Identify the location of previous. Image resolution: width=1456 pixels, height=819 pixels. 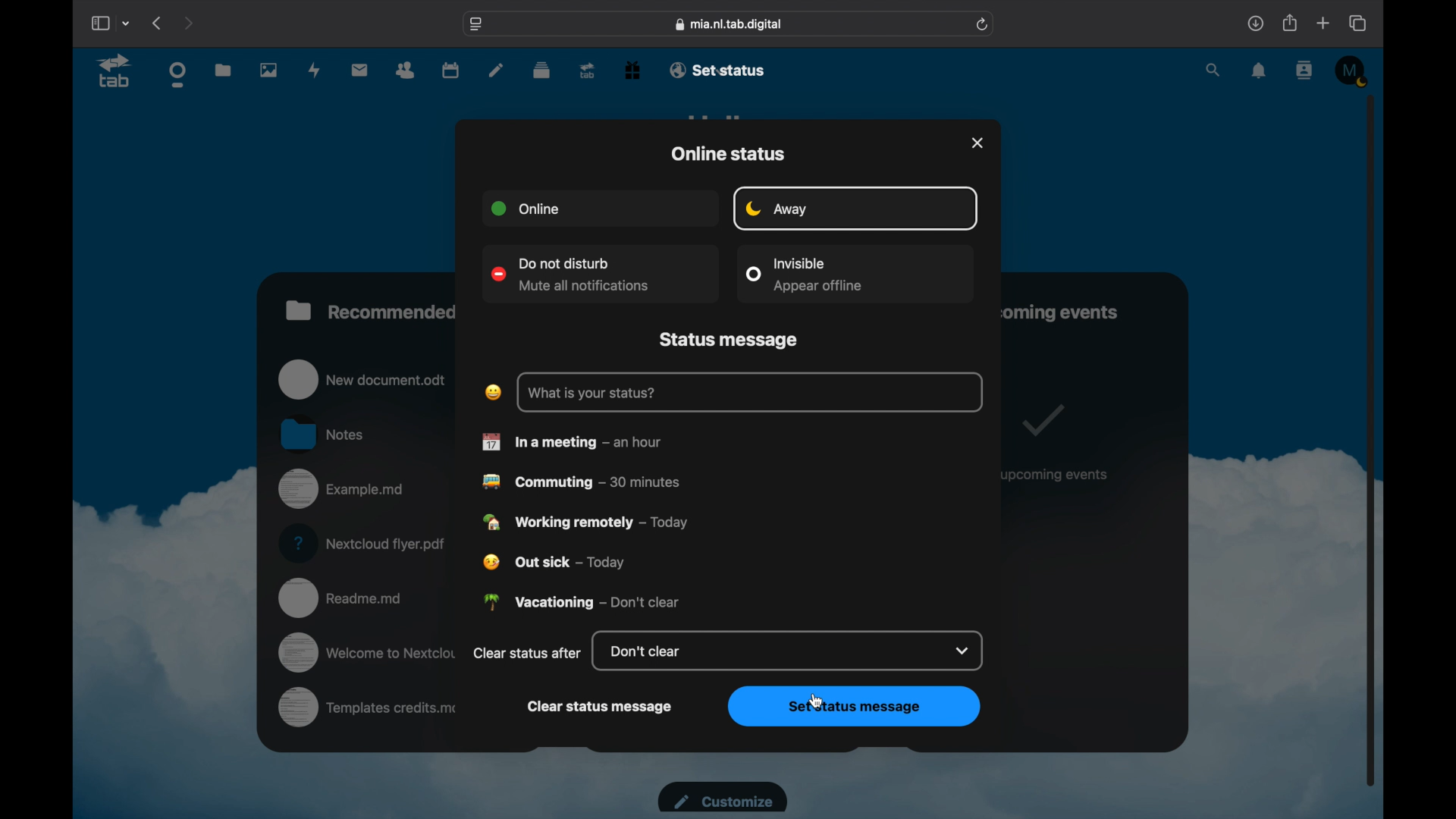
(156, 22).